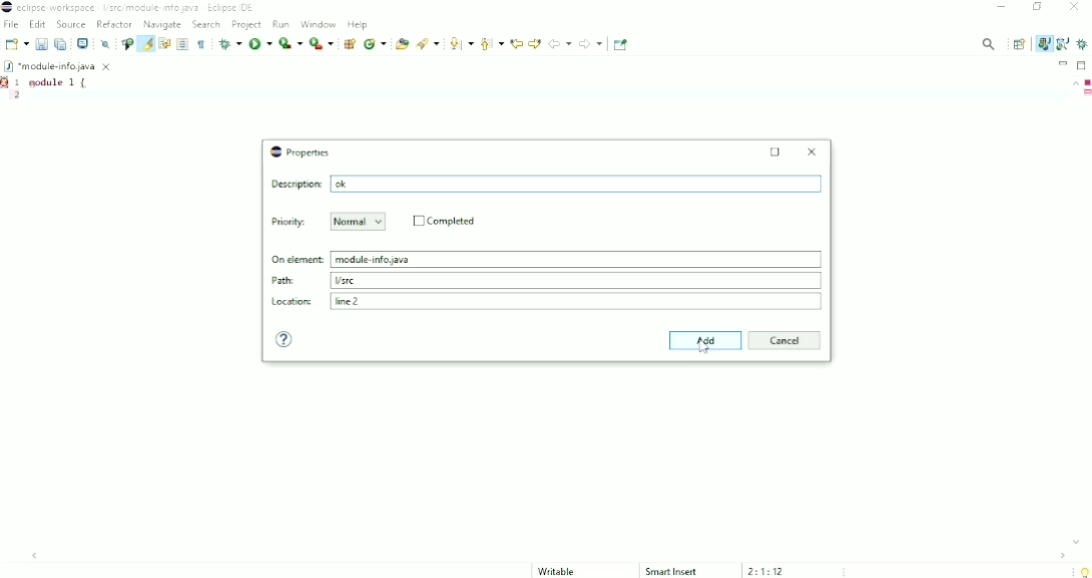 Image resolution: width=1092 pixels, height=578 pixels. What do you see at coordinates (1083, 44) in the screenshot?
I see `Debug` at bounding box center [1083, 44].